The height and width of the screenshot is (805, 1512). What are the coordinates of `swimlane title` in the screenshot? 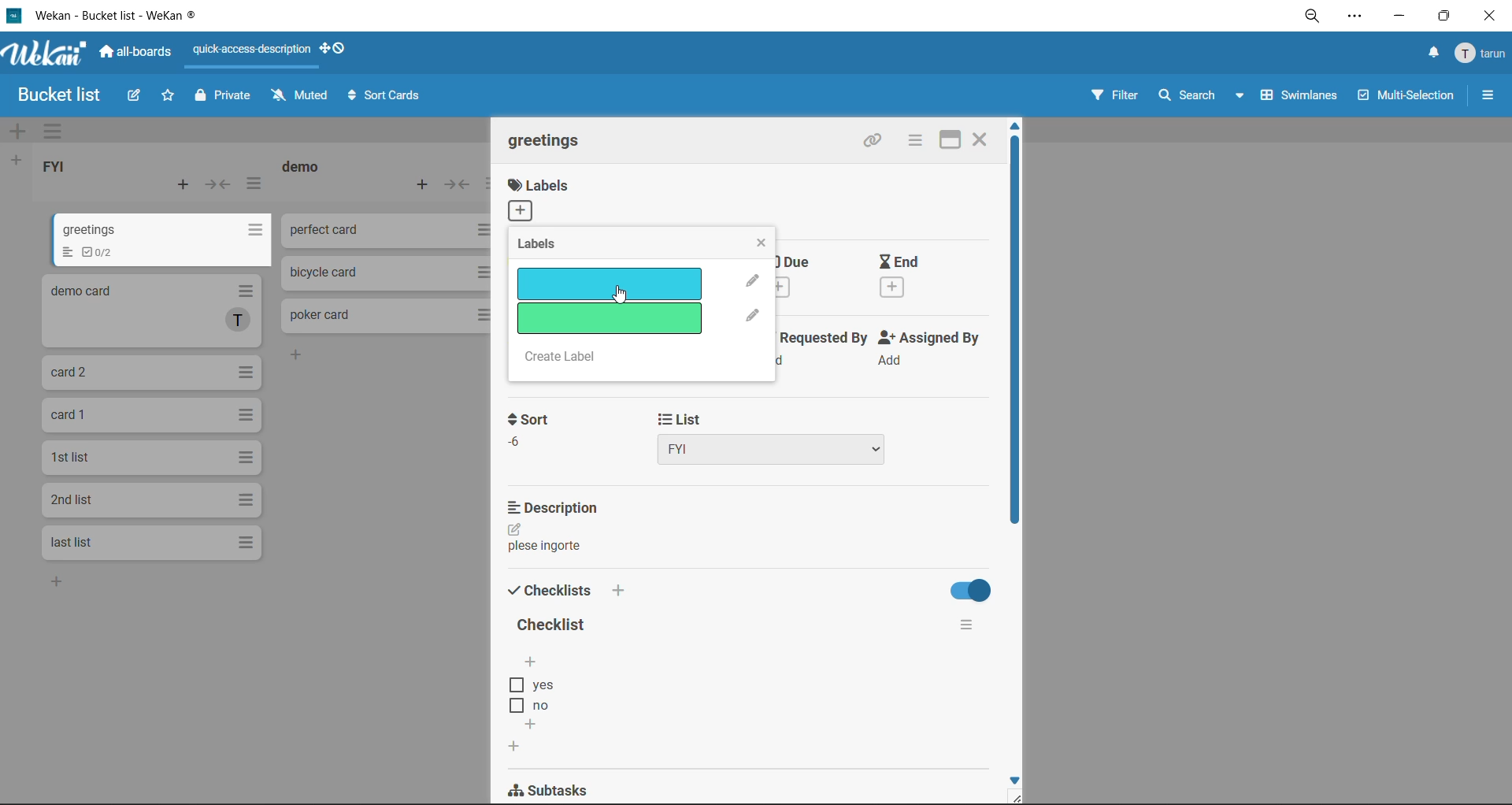 It's located at (758, 131).